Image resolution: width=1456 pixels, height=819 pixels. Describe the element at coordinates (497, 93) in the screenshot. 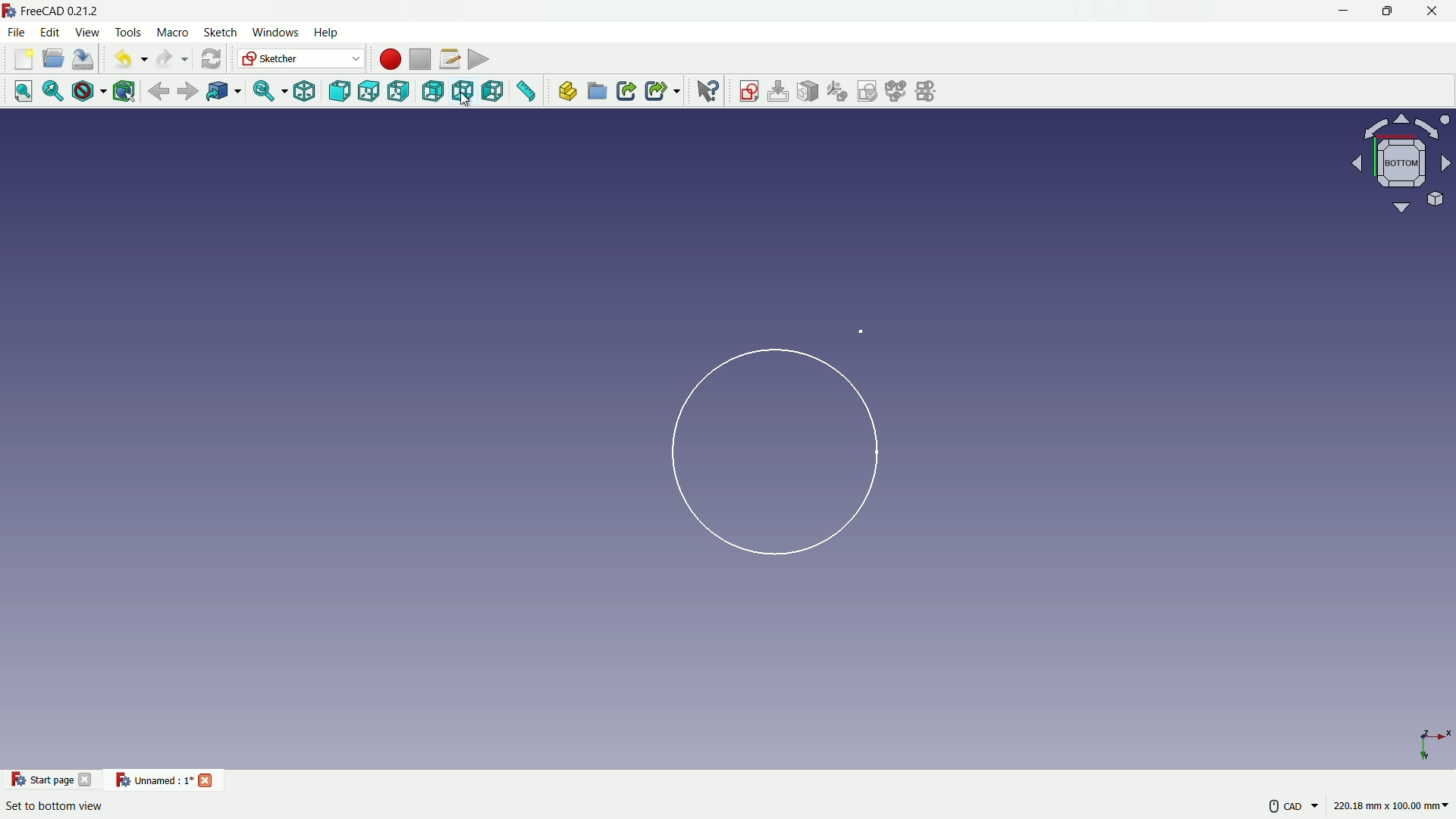

I see `left view` at that location.